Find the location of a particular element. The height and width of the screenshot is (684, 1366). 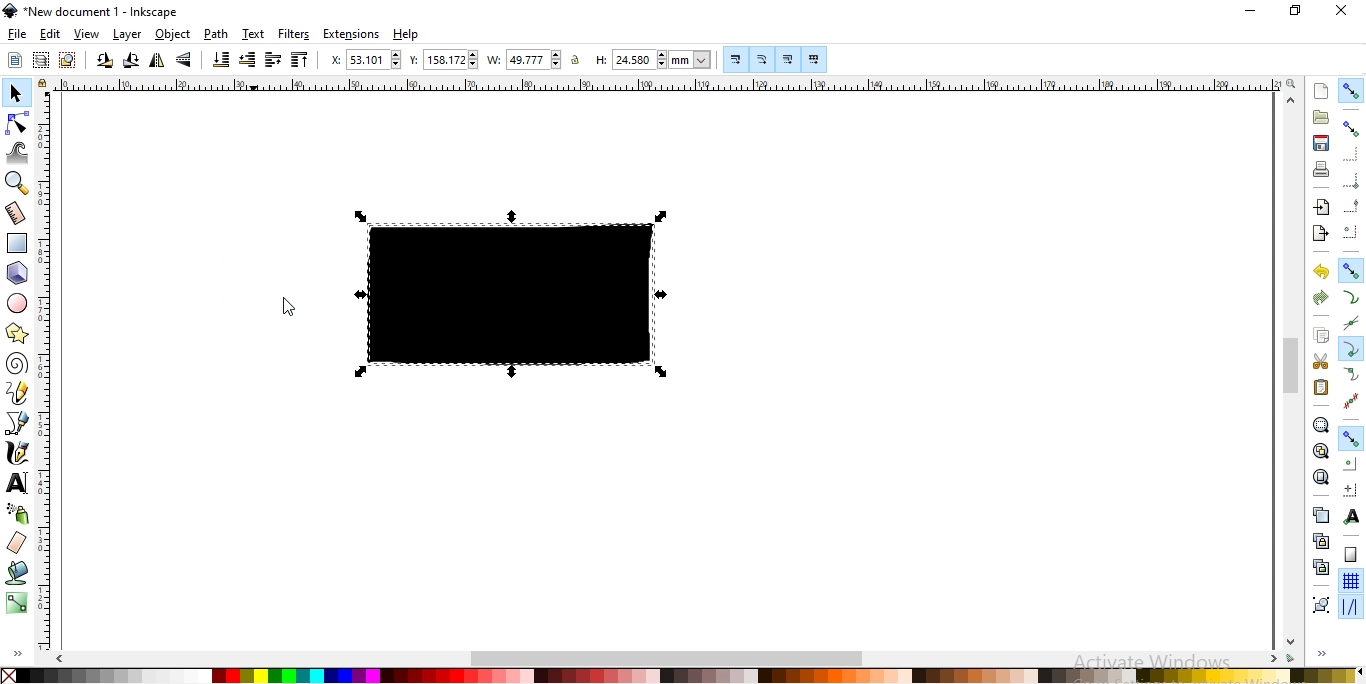

zoom in or zoom out is located at coordinates (16, 184).